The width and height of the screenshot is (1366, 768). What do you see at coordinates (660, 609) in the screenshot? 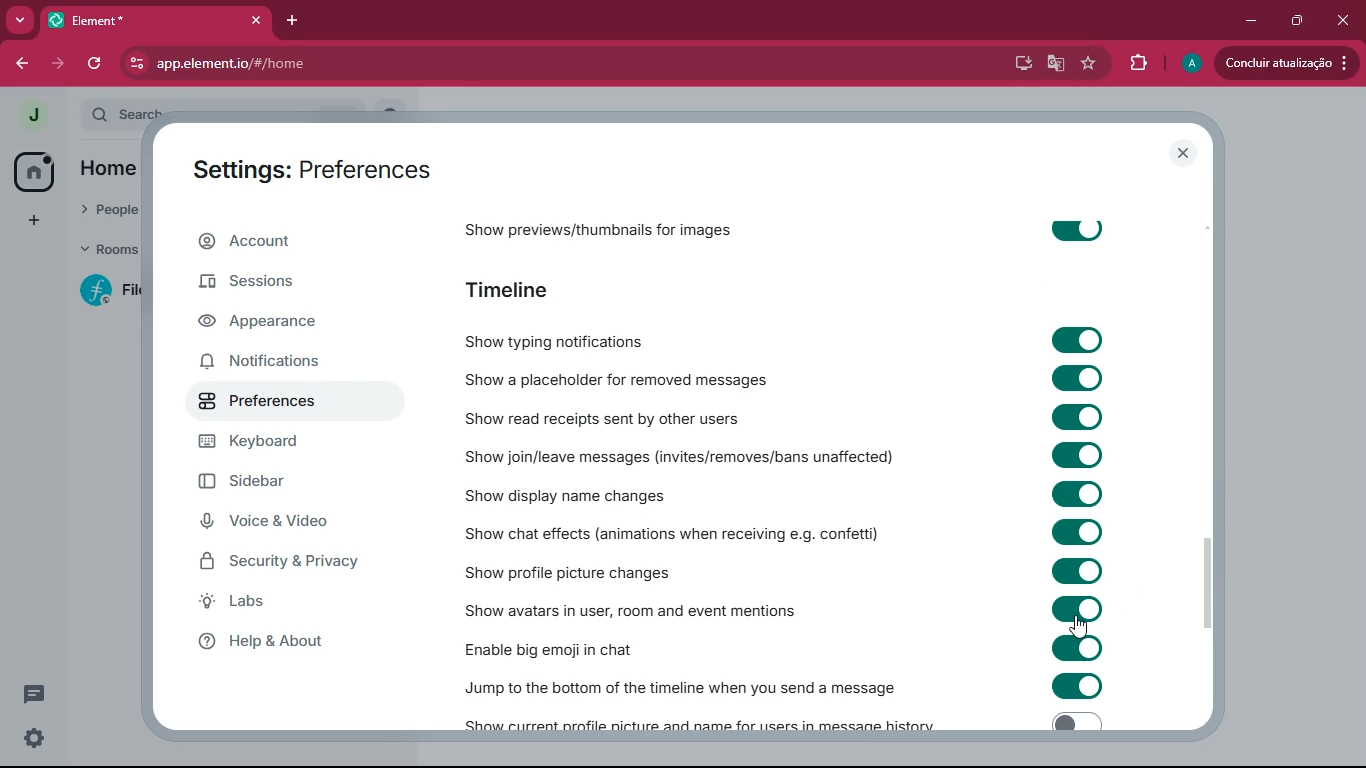
I see `show avatars in user, room and event mentions` at bounding box center [660, 609].